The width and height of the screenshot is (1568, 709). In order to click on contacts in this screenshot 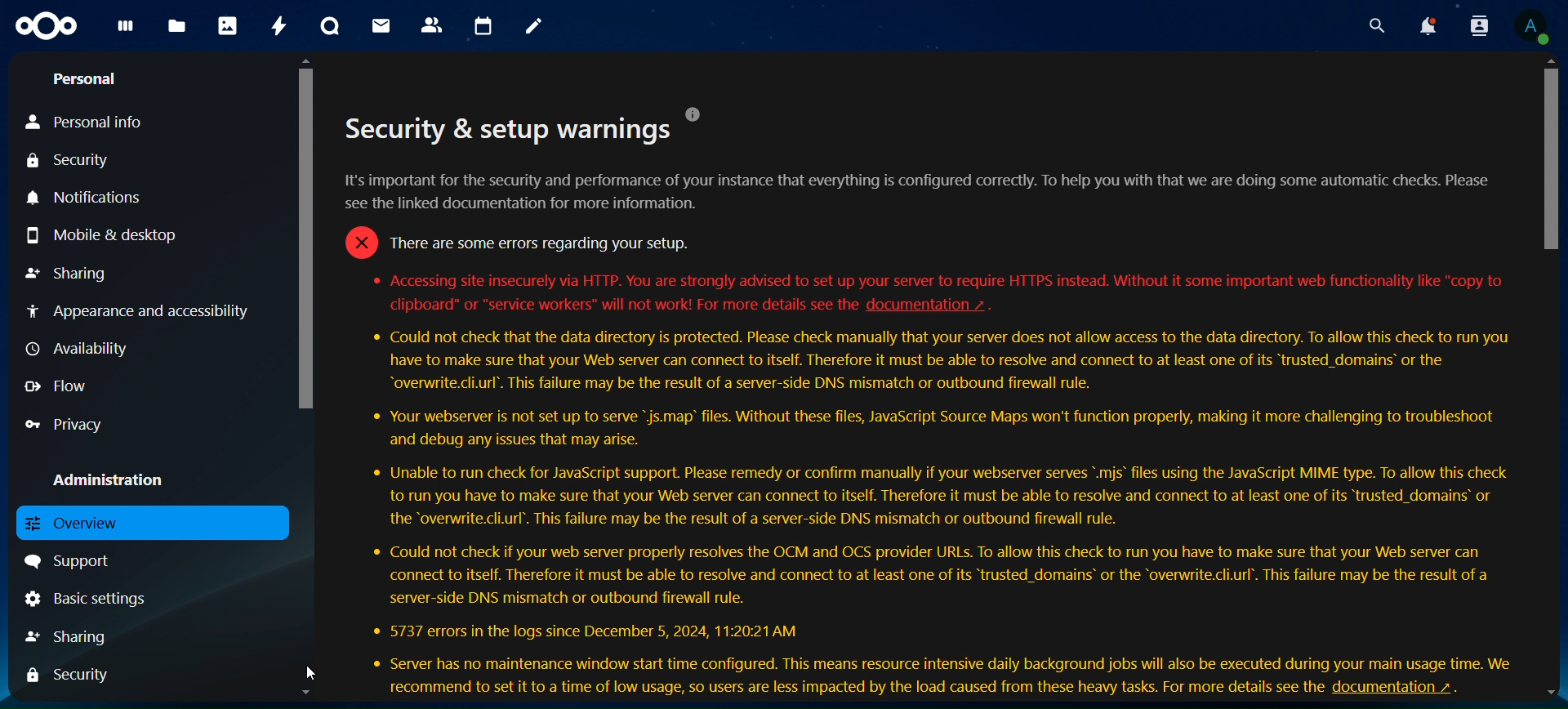, I will do `click(432, 26)`.